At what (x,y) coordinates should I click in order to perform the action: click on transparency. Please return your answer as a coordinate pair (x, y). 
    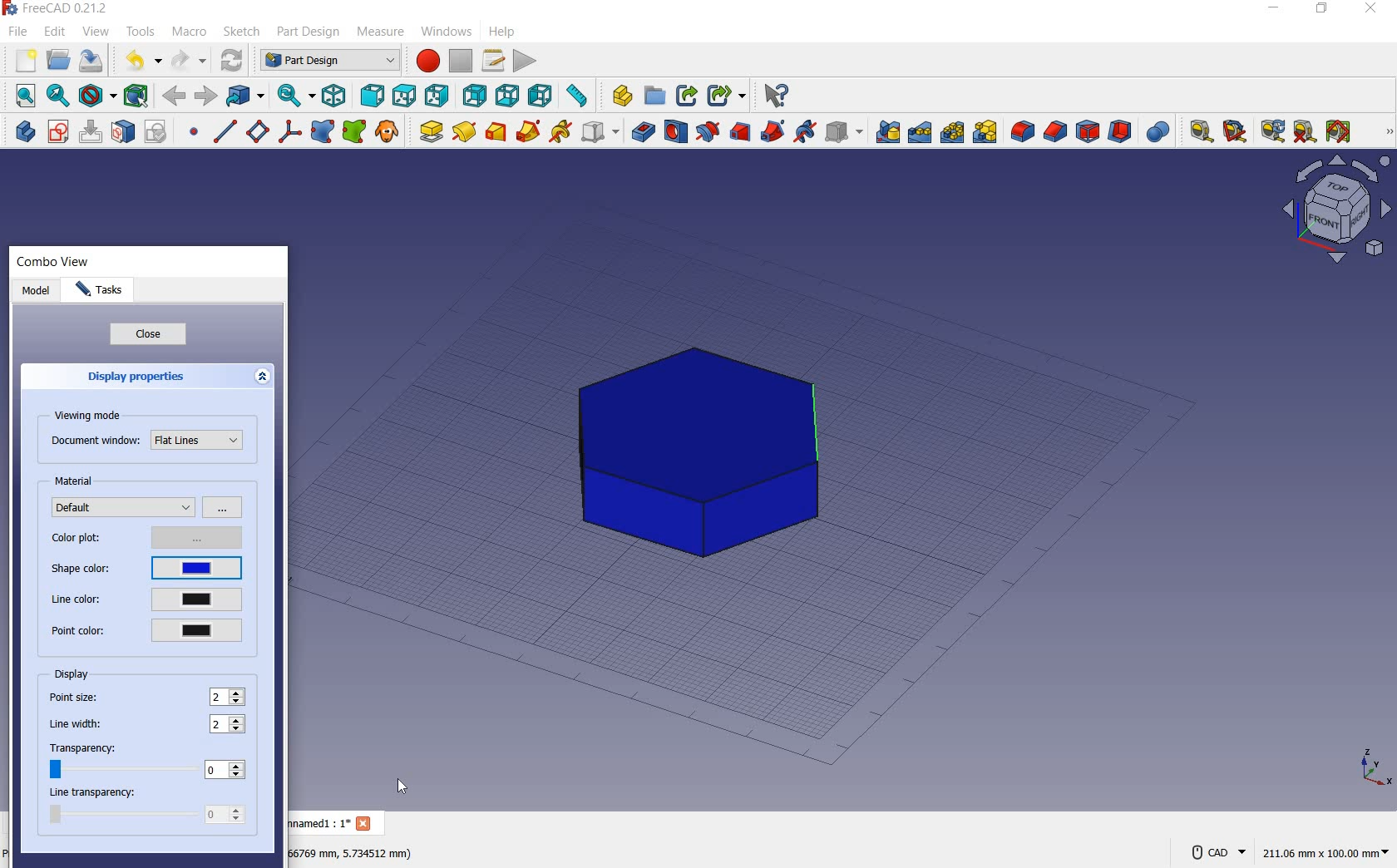
    Looking at the image, I should click on (120, 761).